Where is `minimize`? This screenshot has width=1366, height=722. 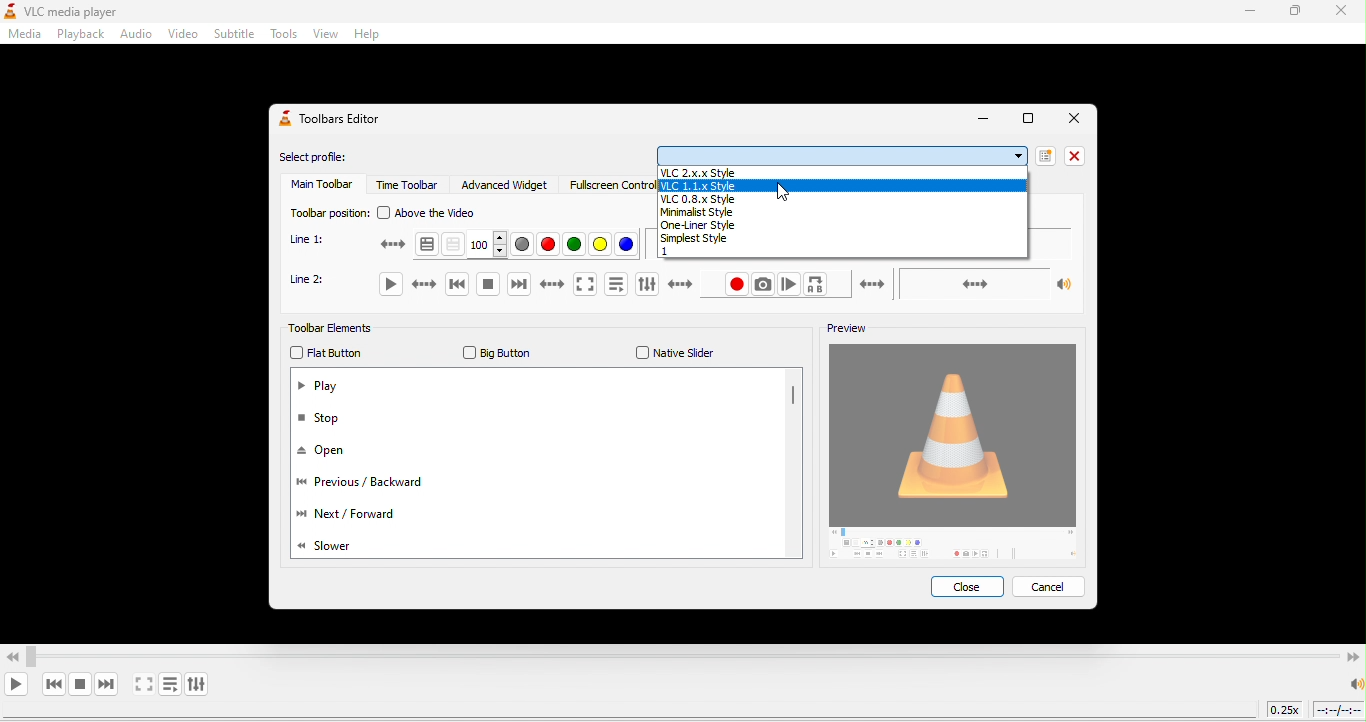 minimize is located at coordinates (980, 120).